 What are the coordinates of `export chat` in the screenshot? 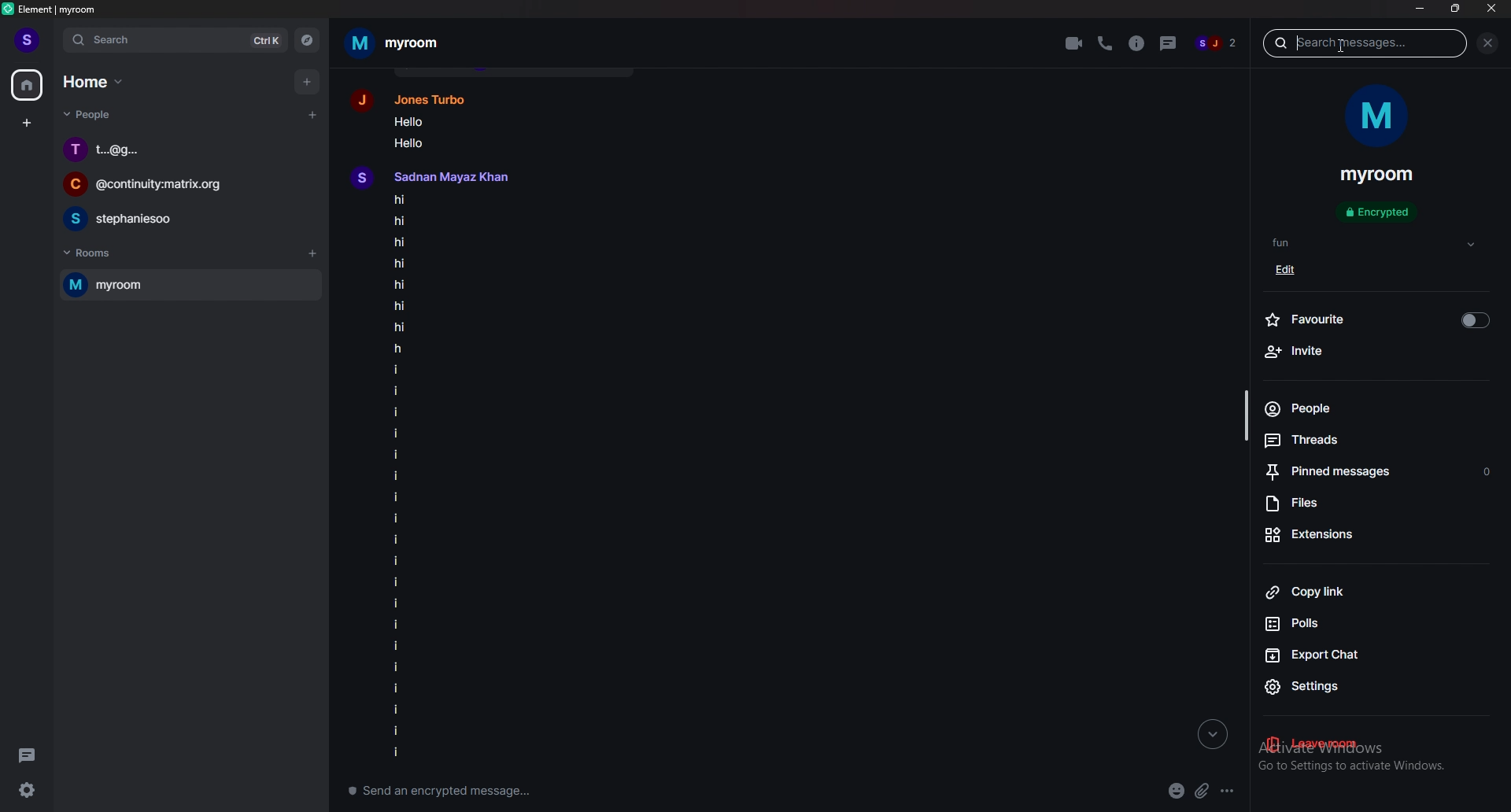 It's located at (1347, 656).